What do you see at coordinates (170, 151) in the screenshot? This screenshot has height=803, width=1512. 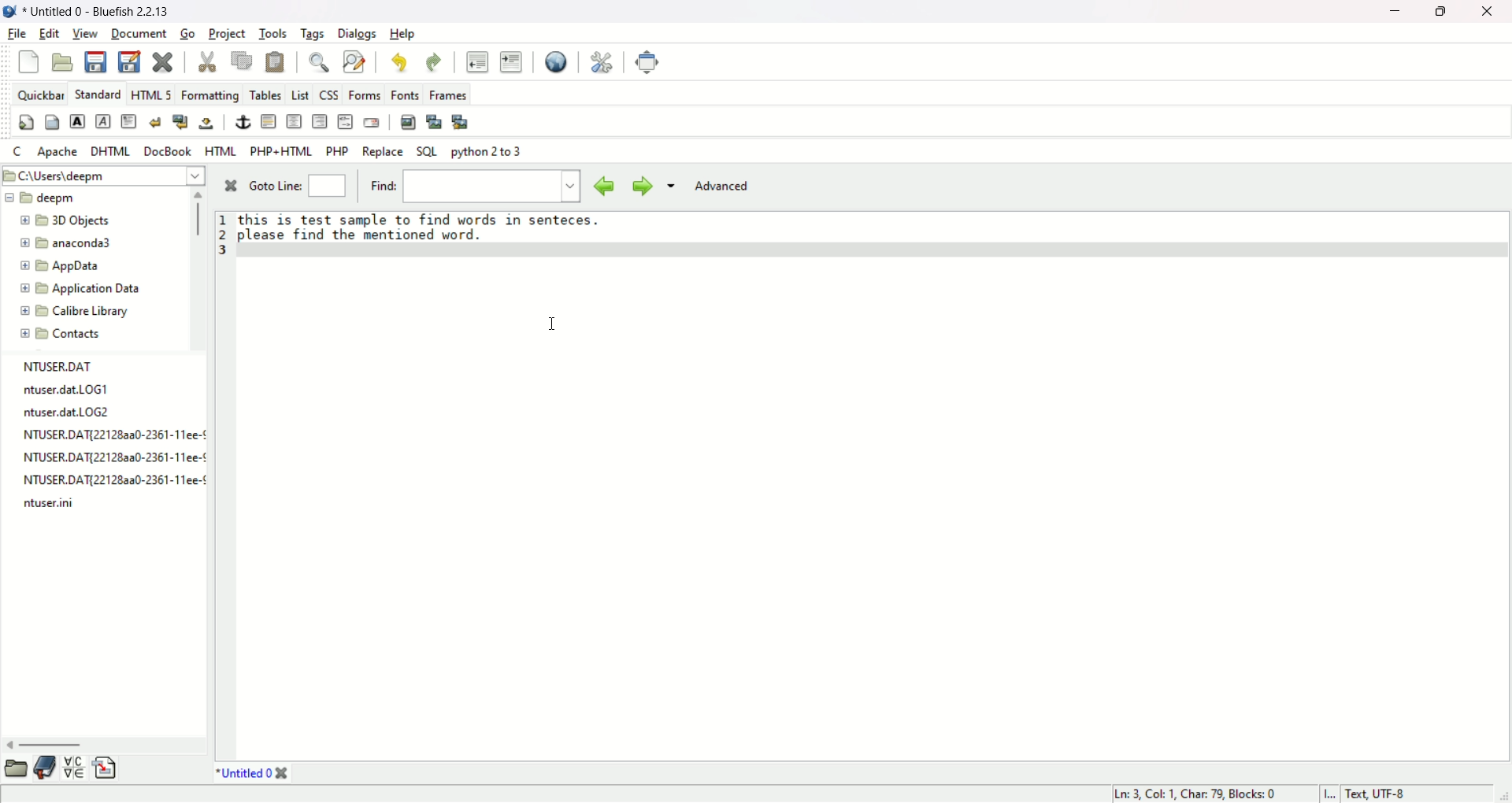 I see `Docbook` at bounding box center [170, 151].